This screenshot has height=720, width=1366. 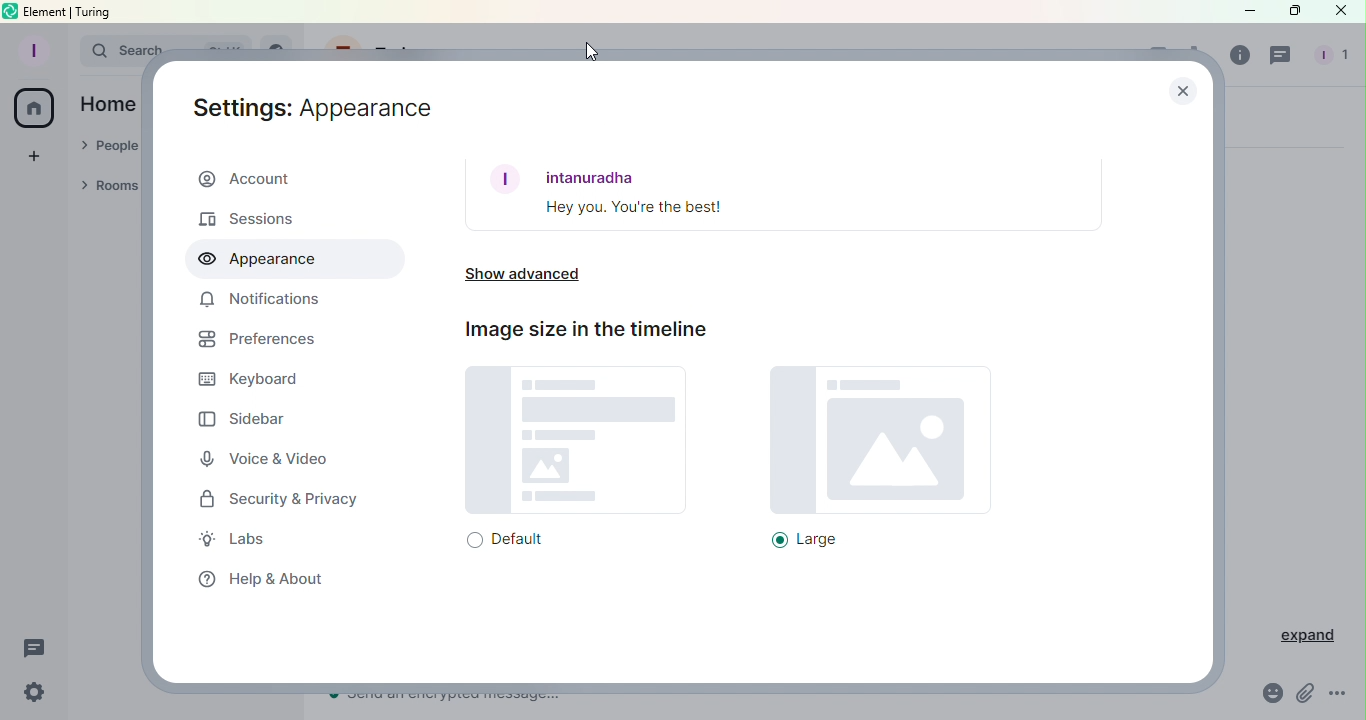 I want to click on element, so click(x=47, y=12).